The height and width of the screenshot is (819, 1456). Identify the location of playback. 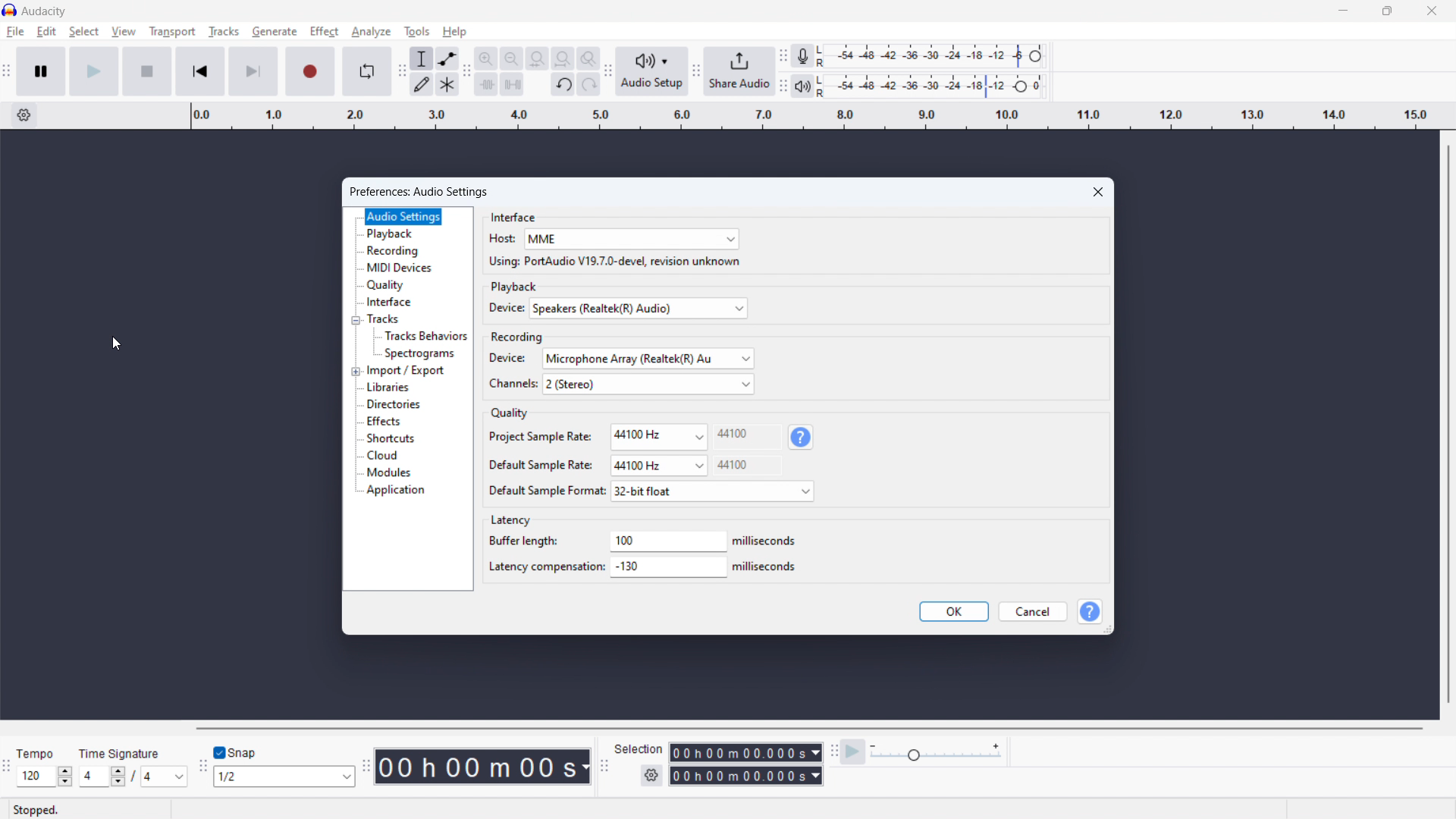
(391, 234).